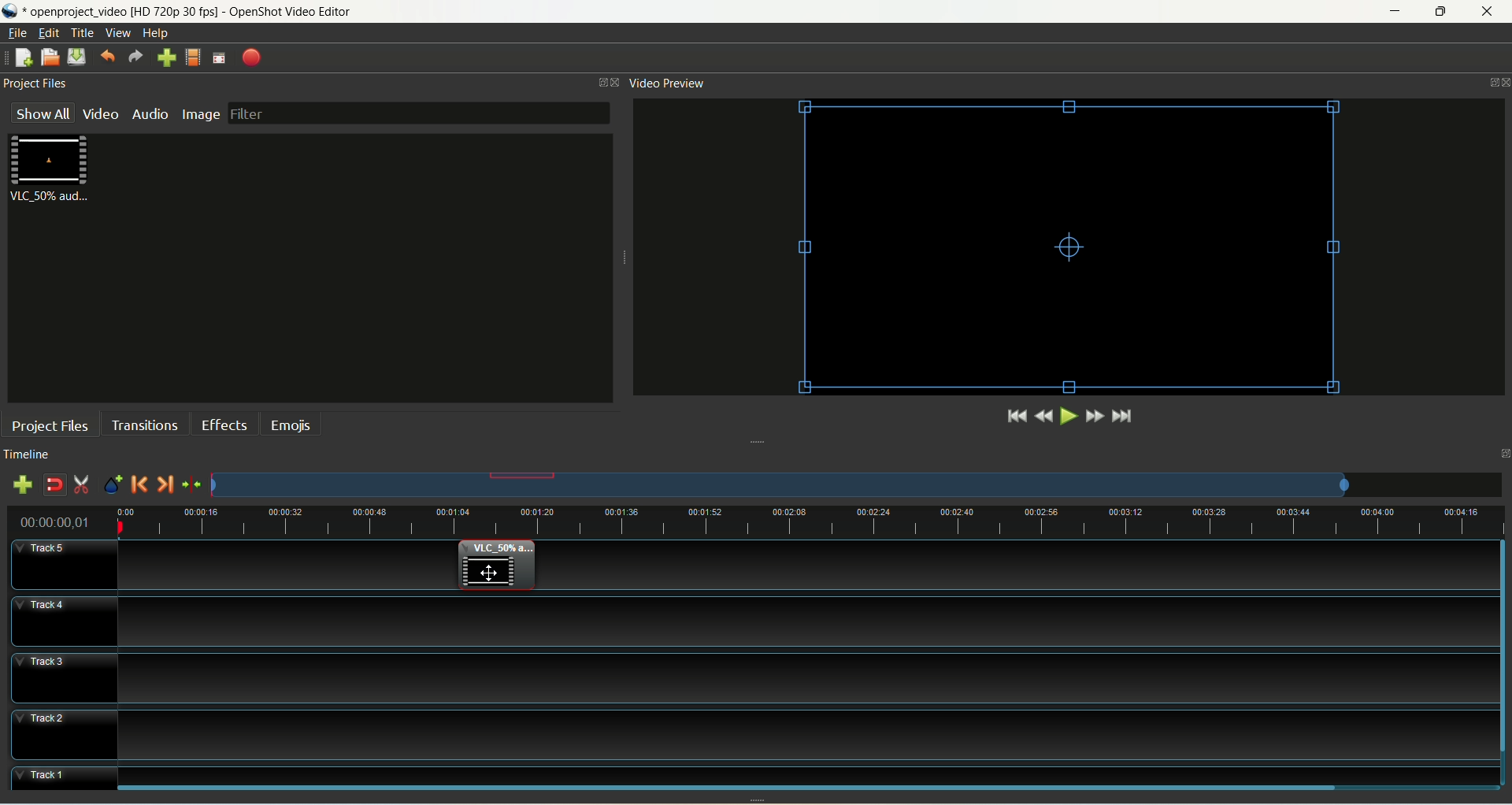  What do you see at coordinates (54, 484) in the screenshot?
I see `disable snapping` at bounding box center [54, 484].